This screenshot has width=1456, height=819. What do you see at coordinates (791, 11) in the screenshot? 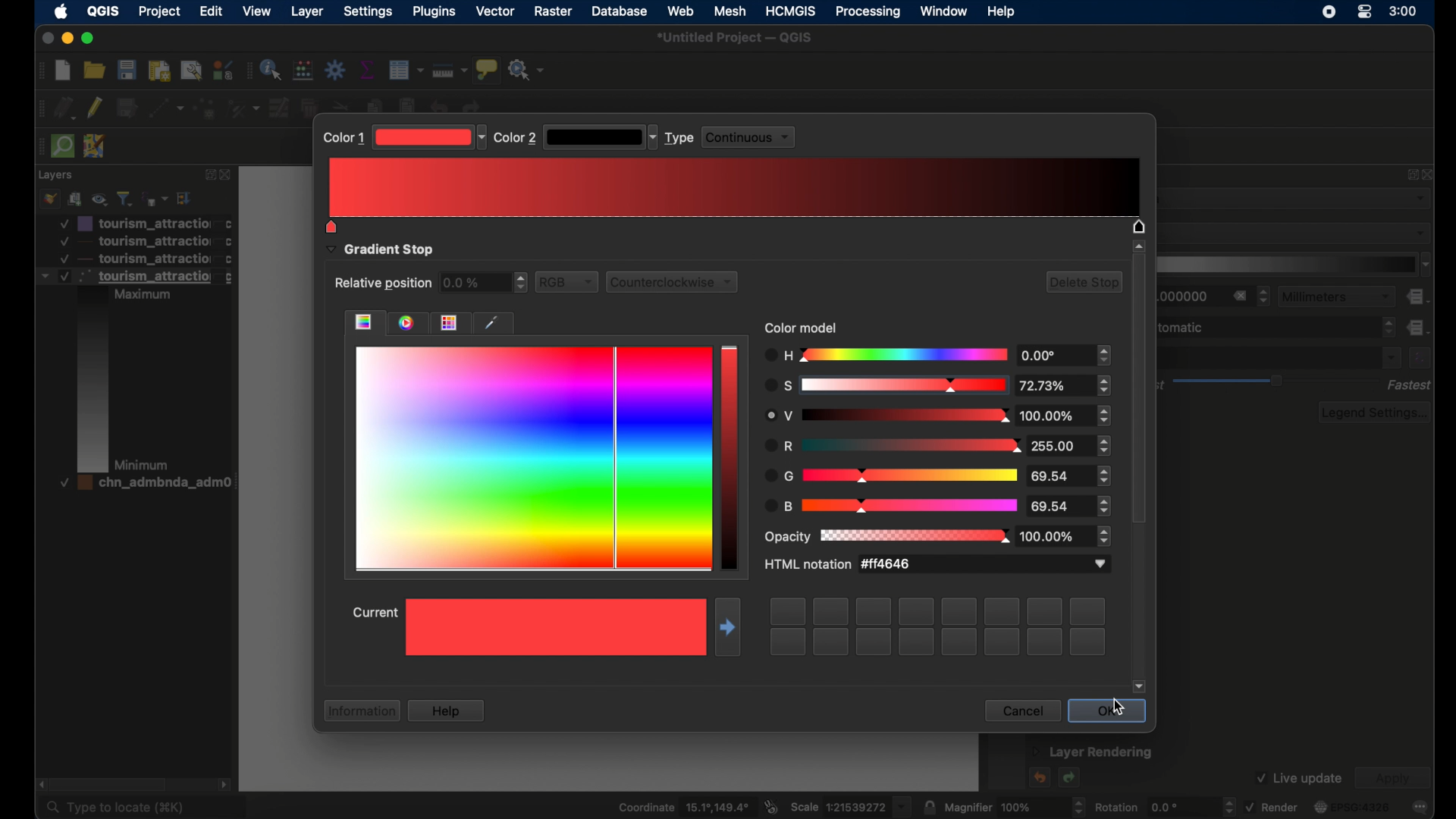
I see `HCMGIS` at bounding box center [791, 11].